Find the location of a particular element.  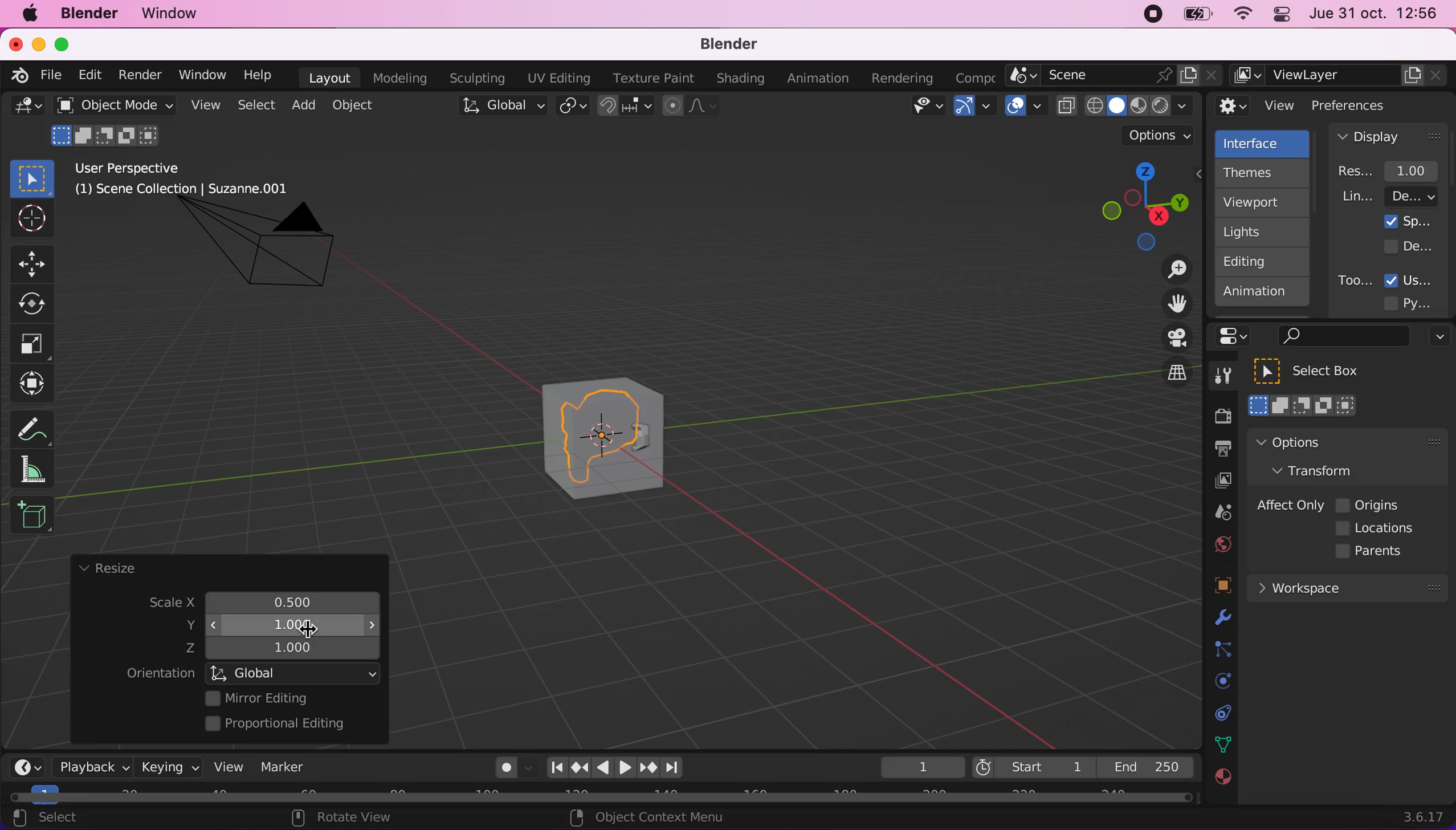

view is located at coordinates (203, 105).